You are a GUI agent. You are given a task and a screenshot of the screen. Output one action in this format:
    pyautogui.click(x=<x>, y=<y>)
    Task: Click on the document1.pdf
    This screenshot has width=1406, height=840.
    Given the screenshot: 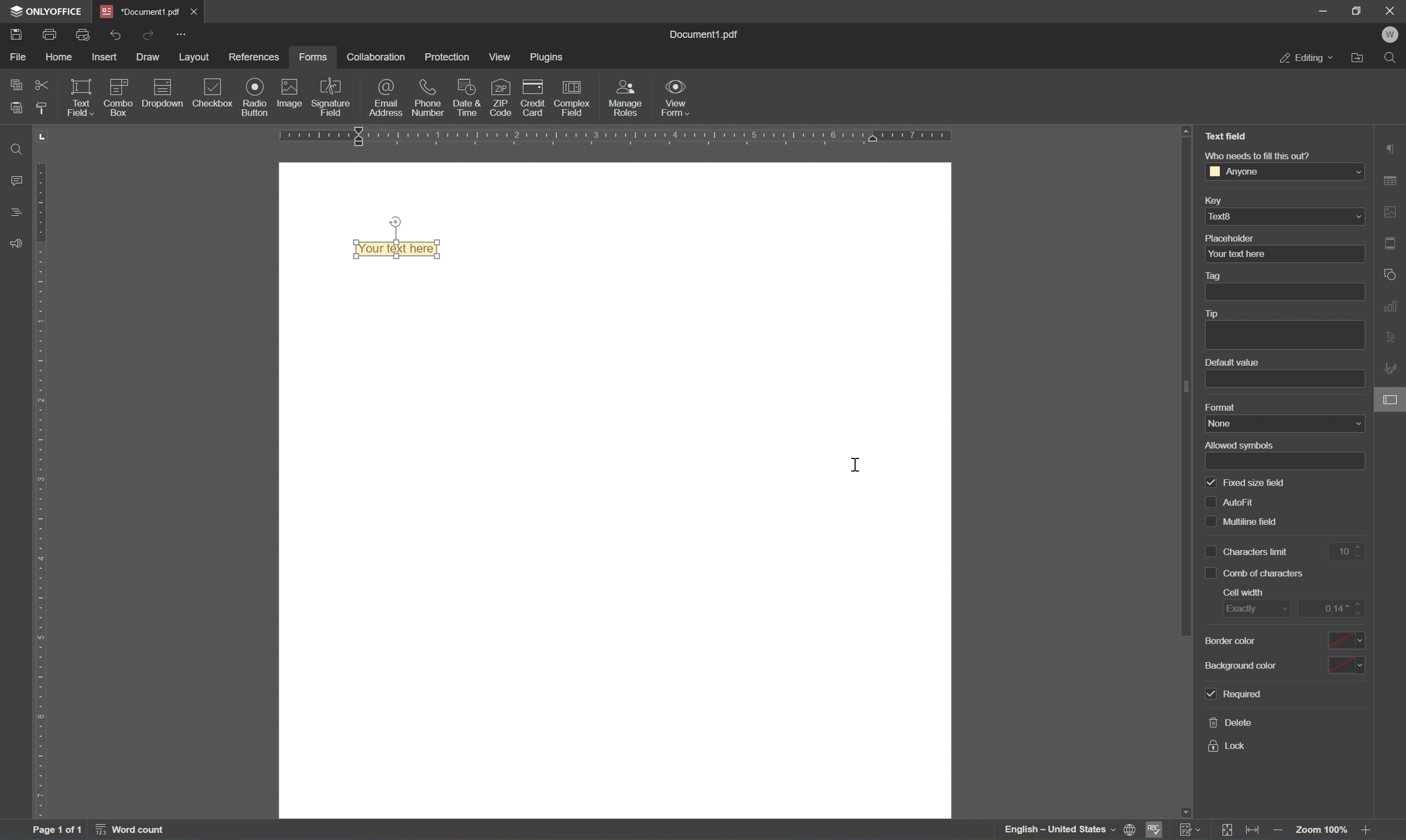 What is the action you would take?
    pyautogui.click(x=702, y=35)
    